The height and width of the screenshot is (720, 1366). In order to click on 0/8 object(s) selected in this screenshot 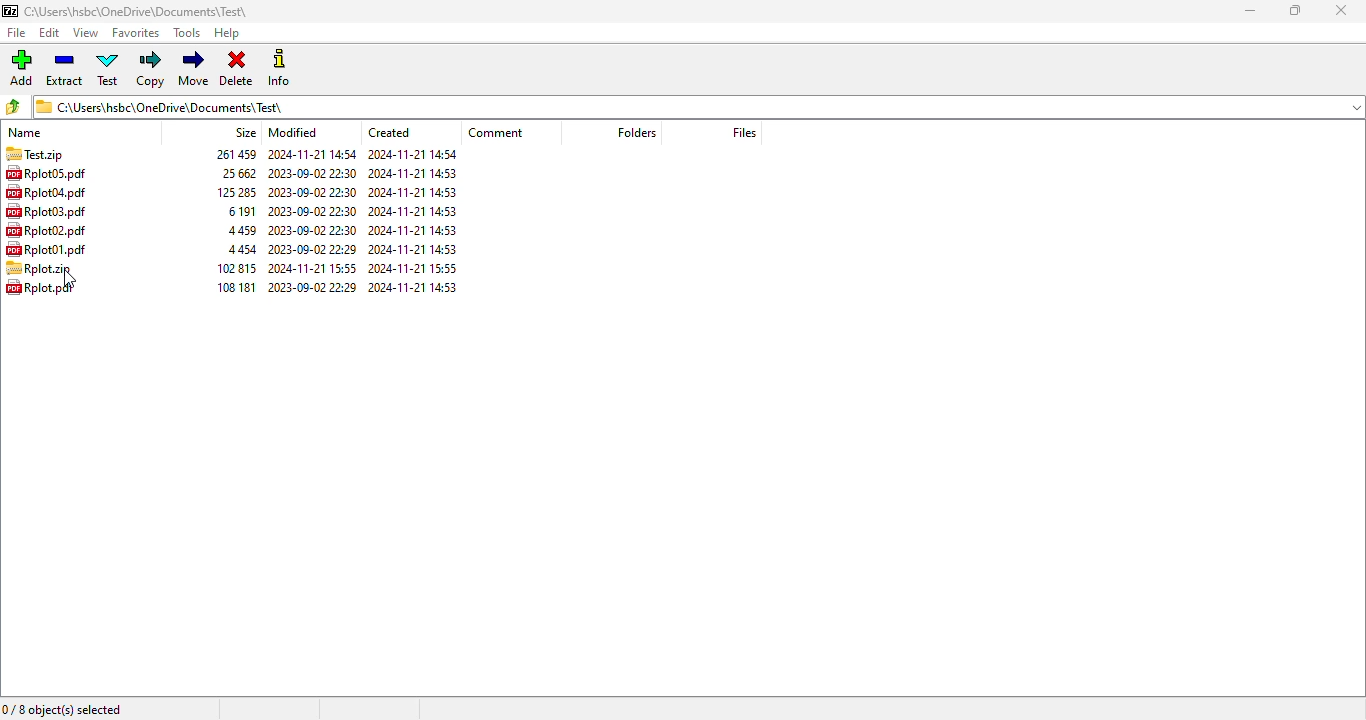, I will do `click(62, 710)`.